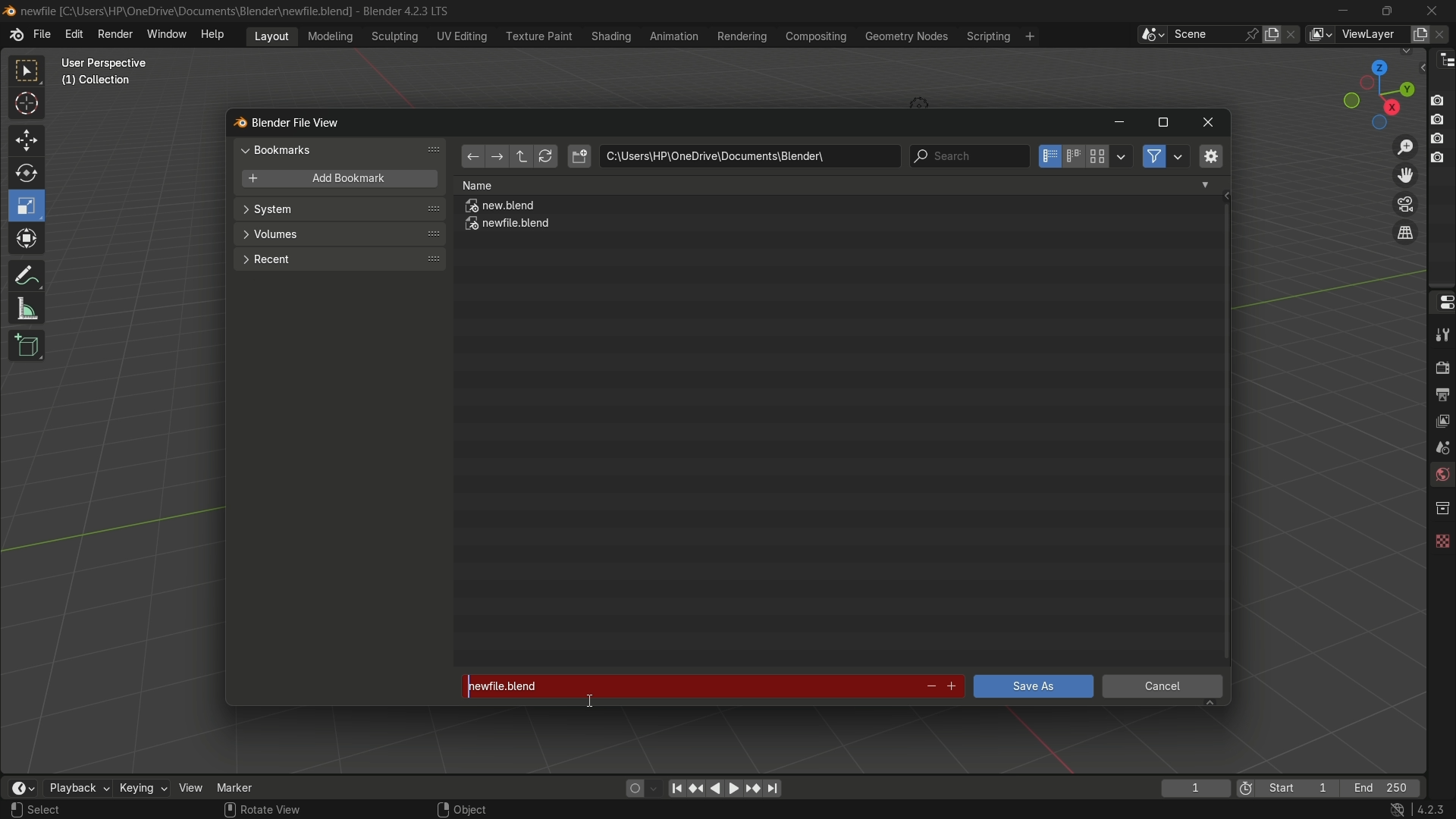 The image size is (1456, 819). Describe the element at coordinates (340, 211) in the screenshot. I see `system` at that location.